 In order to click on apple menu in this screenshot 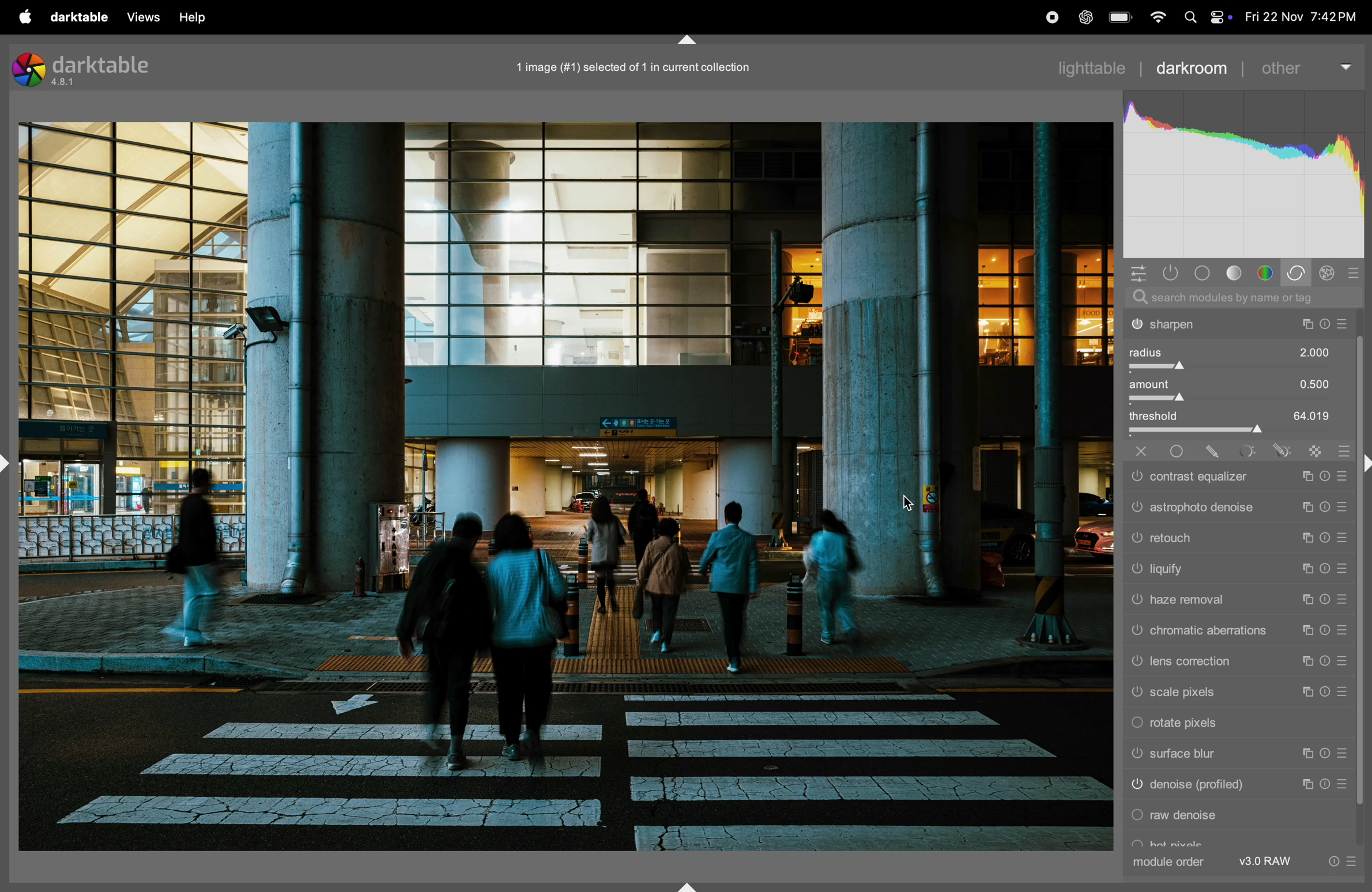, I will do `click(24, 17)`.